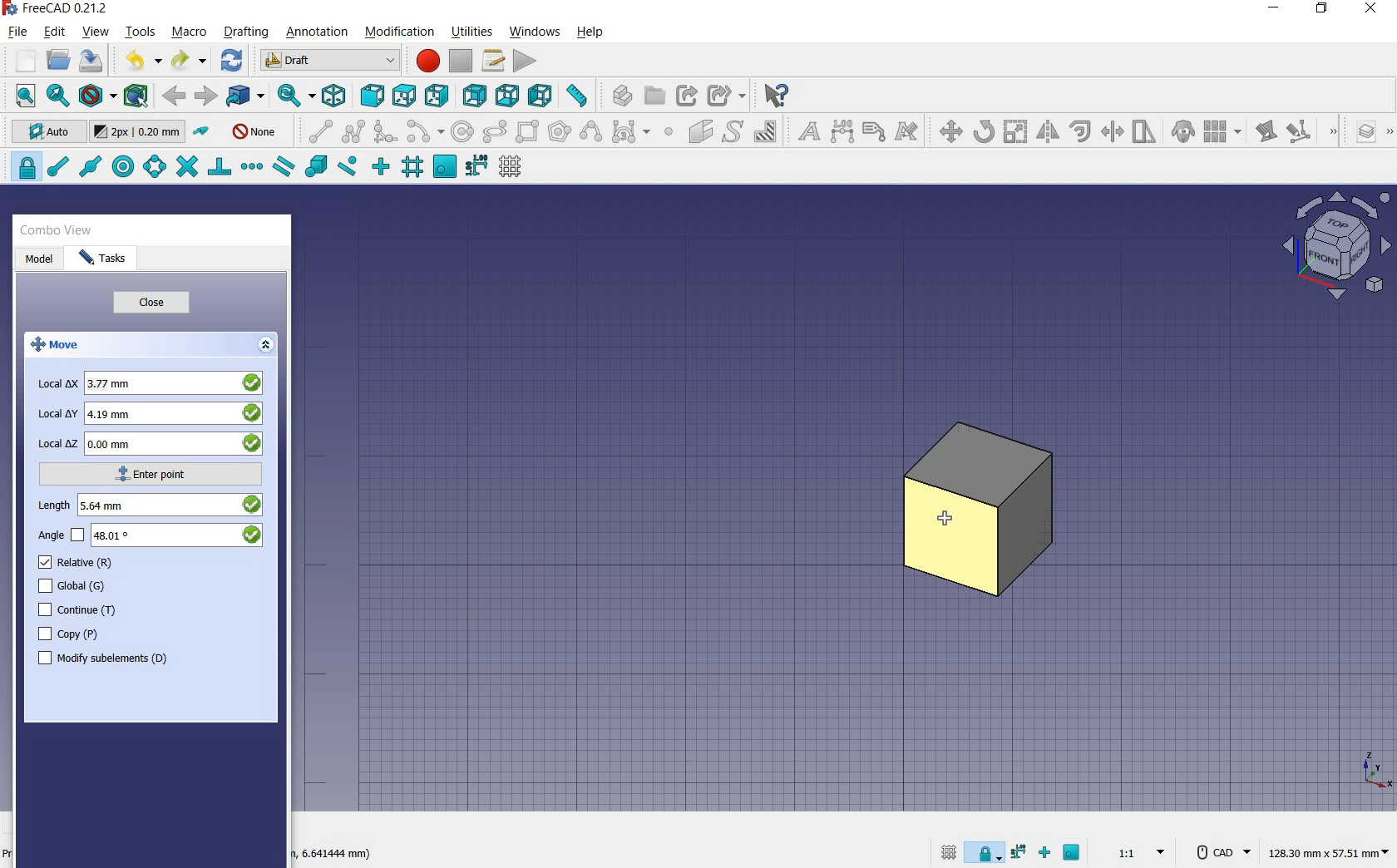 Image resolution: width=1397 pixels, height=868 pixels. What do you see at coordinates (1221, 131) in the screenshot?
I see `array tools` at bounding box center [1221, 131].